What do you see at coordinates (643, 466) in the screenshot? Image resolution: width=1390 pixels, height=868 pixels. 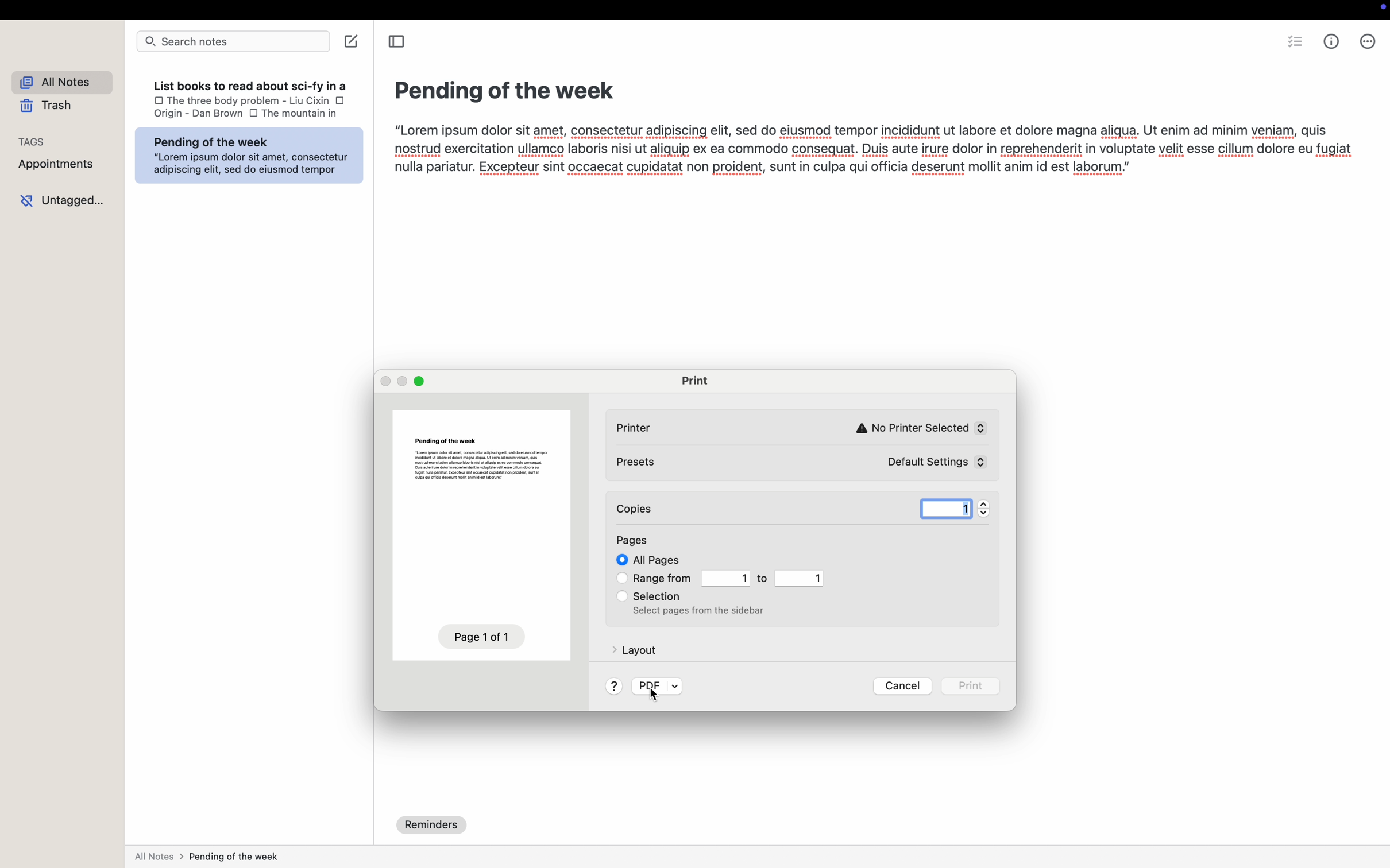 I see `Presets` at bounding box center [643, 466].